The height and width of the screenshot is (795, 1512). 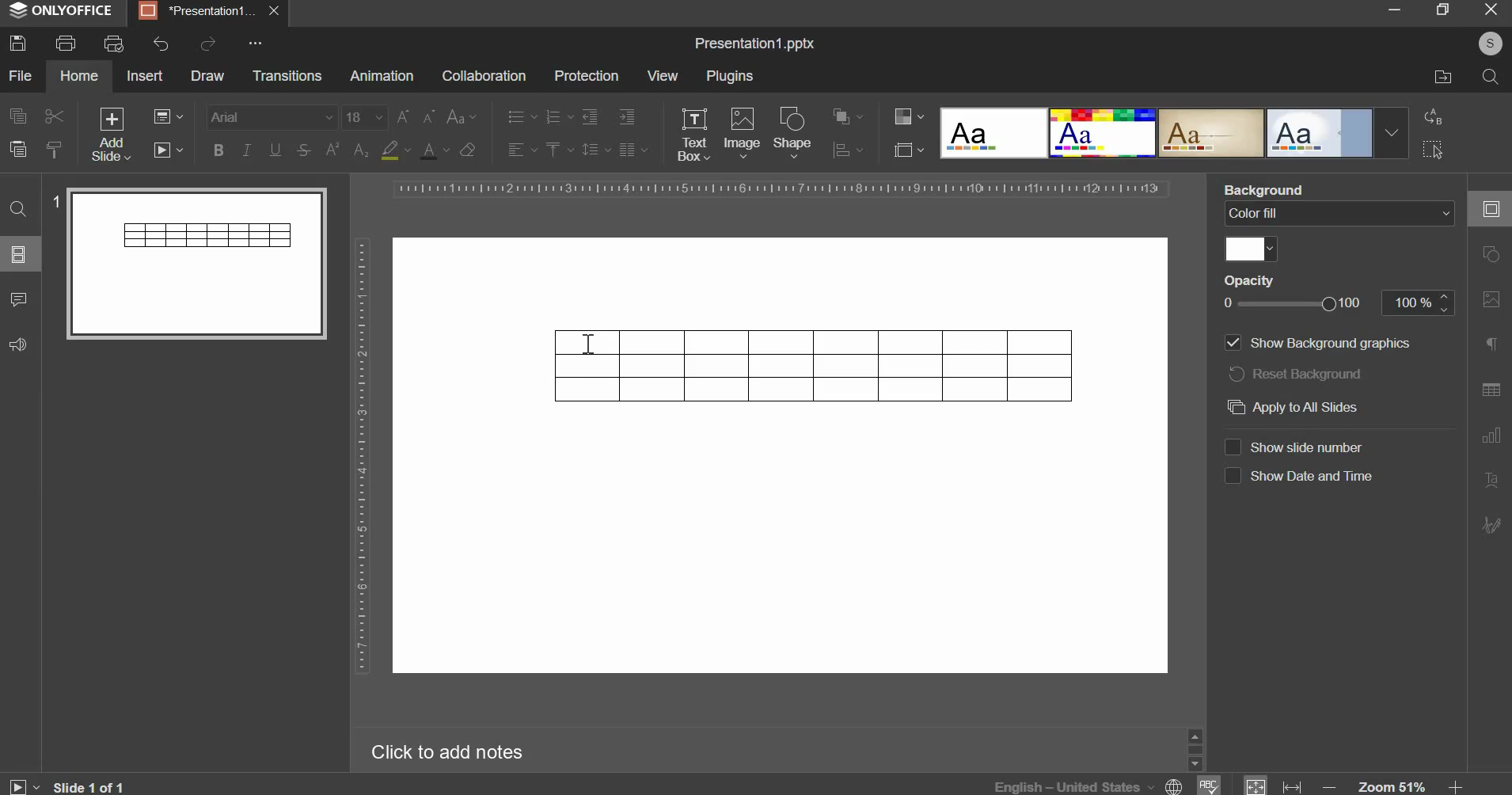 What do you see at coordinates (557, 149) in the screenshot?
I see `vertical alignment` at bounding box center [557, 149].